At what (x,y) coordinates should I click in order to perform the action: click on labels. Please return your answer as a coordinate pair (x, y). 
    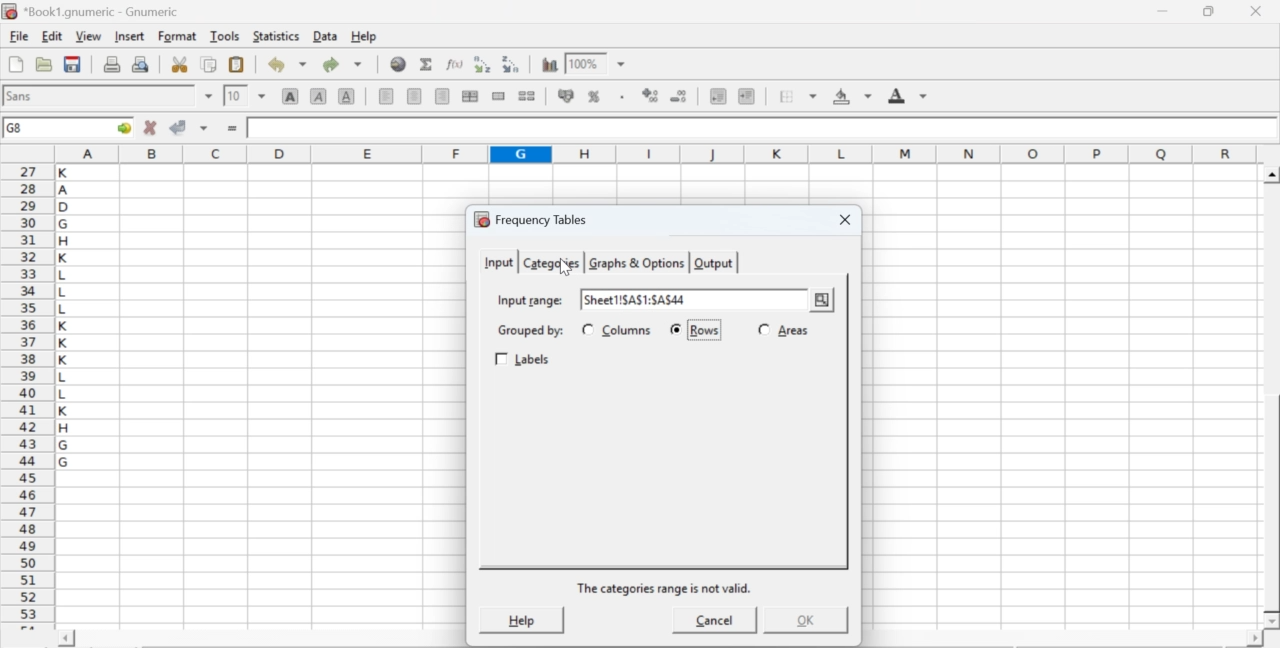
    Looking at the image, I should click on (525, 360).